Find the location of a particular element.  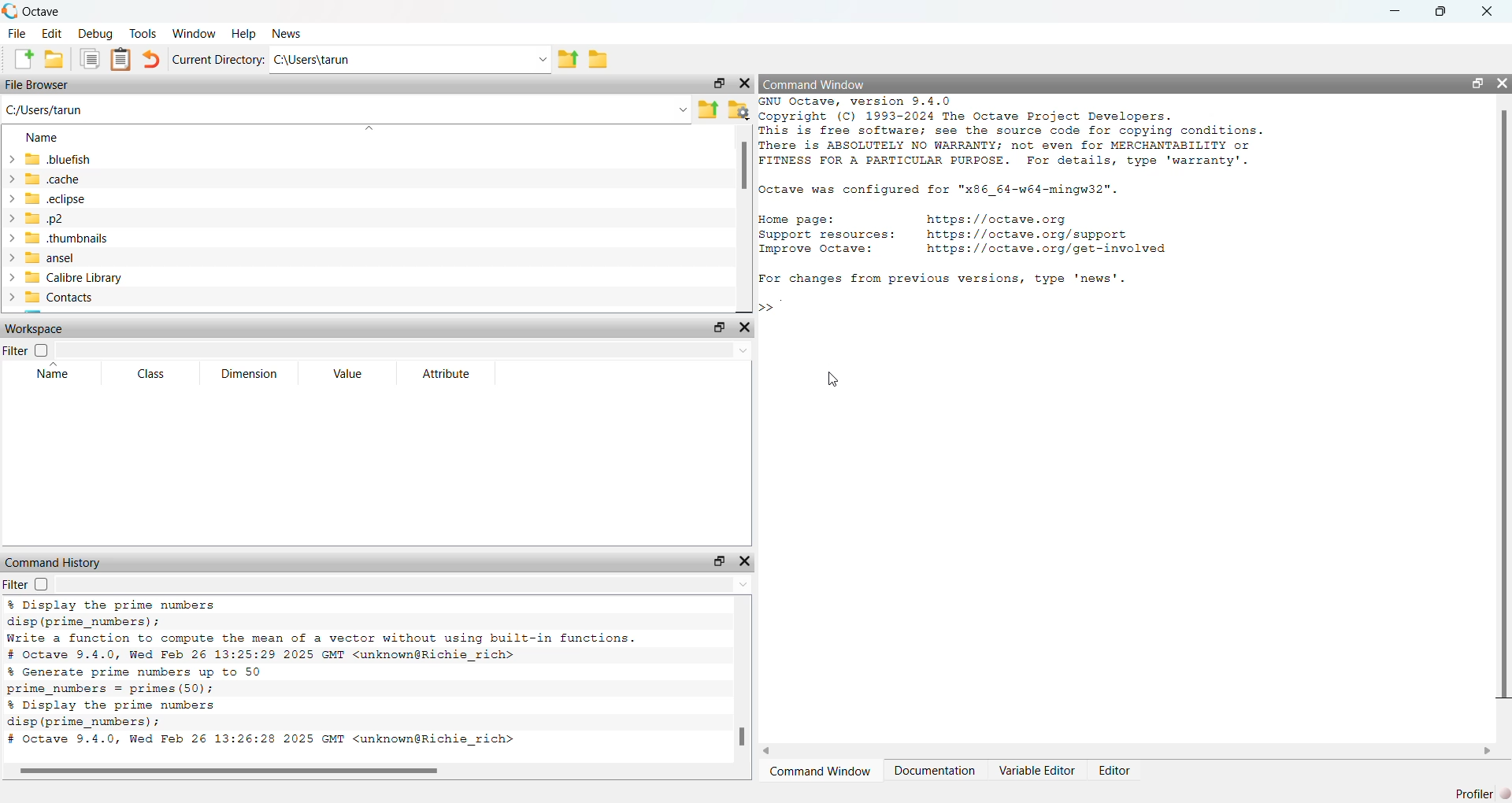

Command Window is located at coordinates (815, 85).